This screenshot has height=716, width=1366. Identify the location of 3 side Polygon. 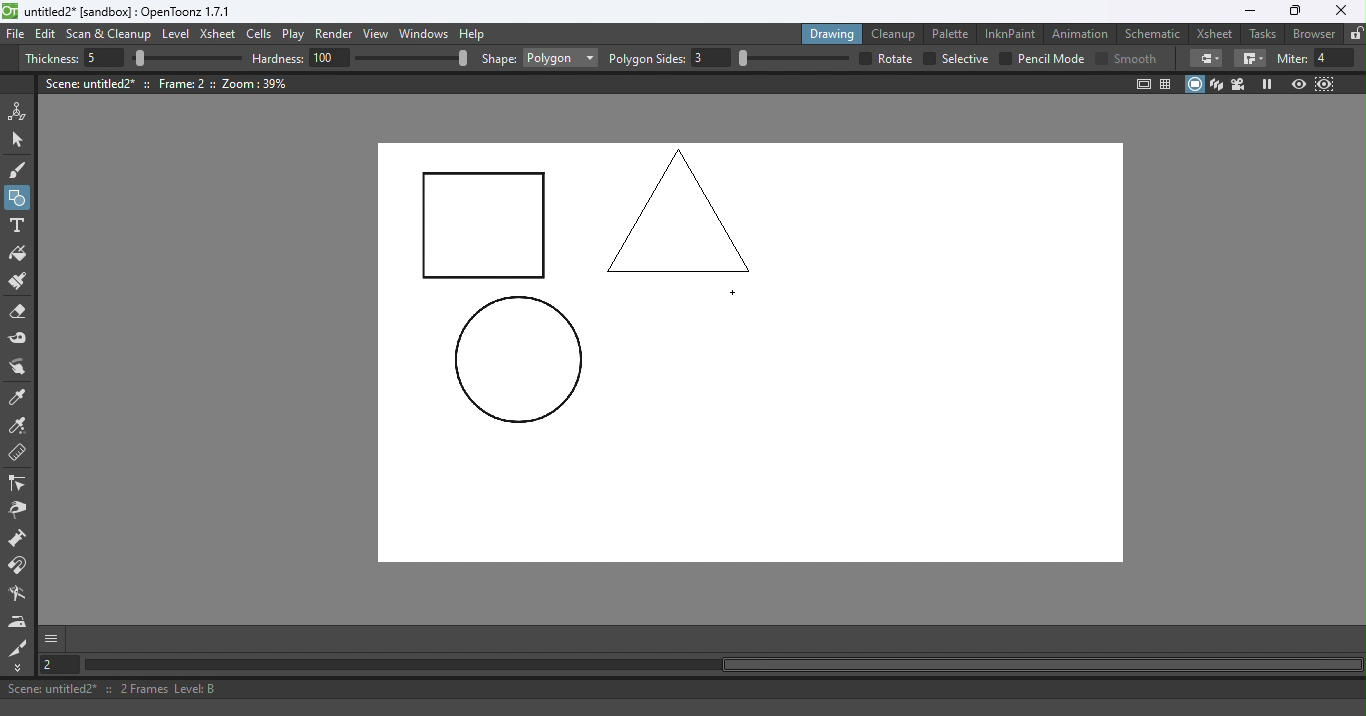
(680, 209).